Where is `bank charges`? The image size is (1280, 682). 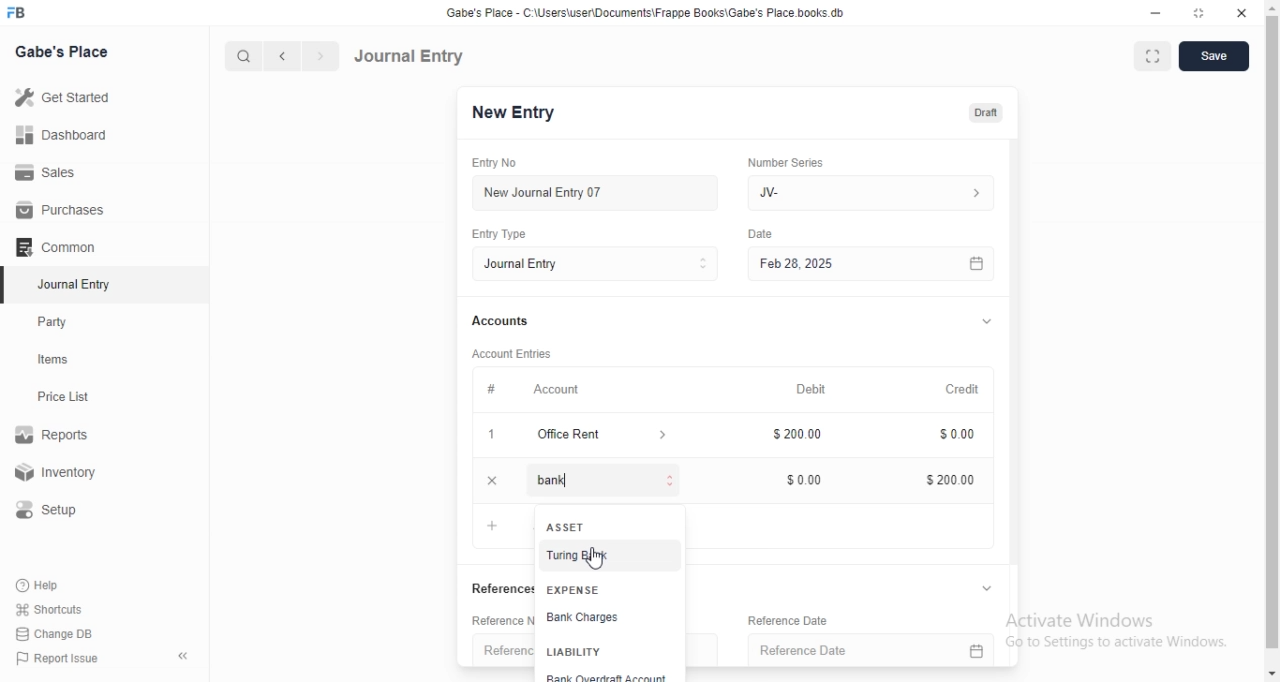
bank charges is located at coordinates (614, 621).